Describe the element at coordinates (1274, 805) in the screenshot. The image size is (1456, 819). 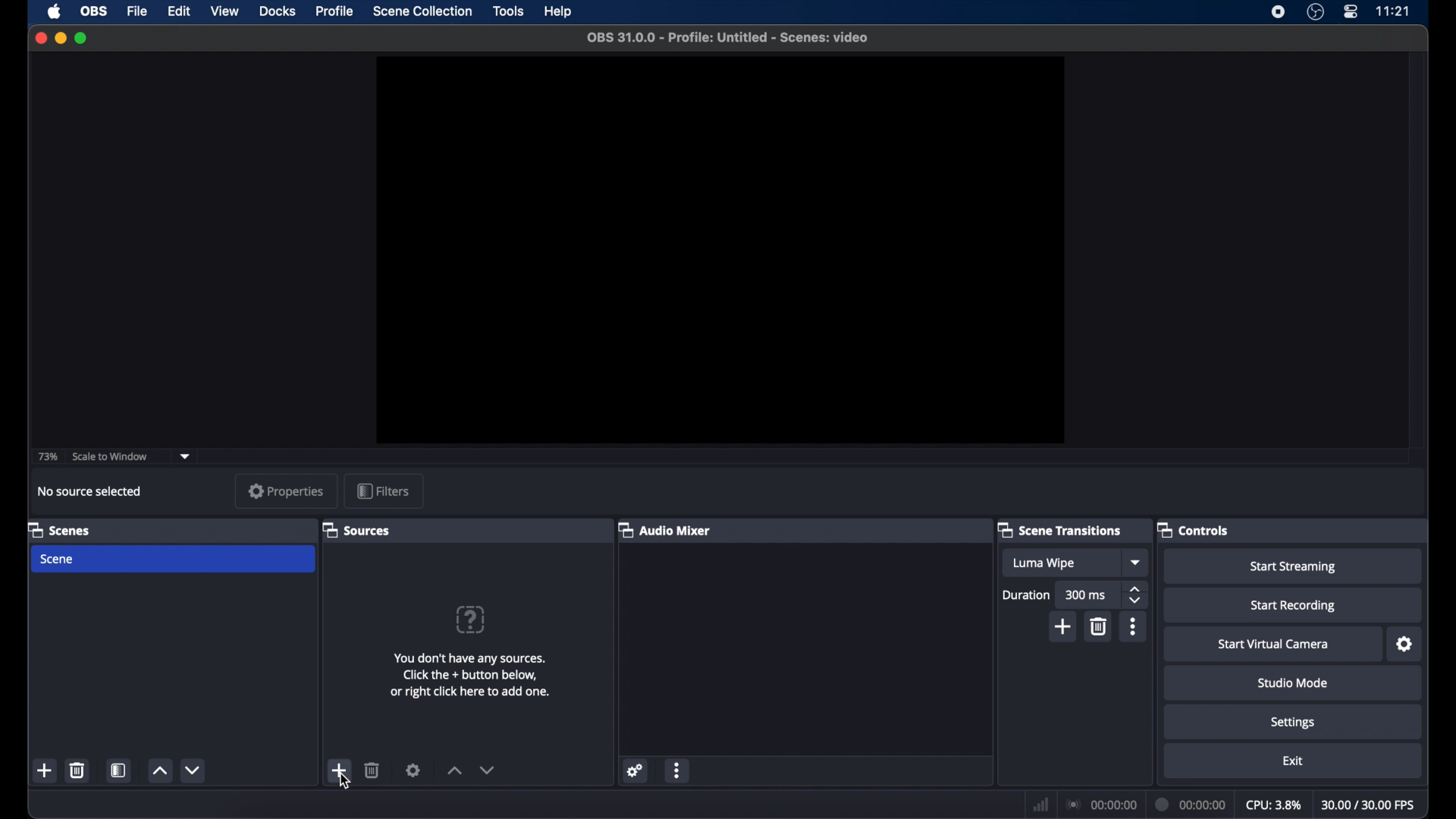
I see `cpu` at that location.